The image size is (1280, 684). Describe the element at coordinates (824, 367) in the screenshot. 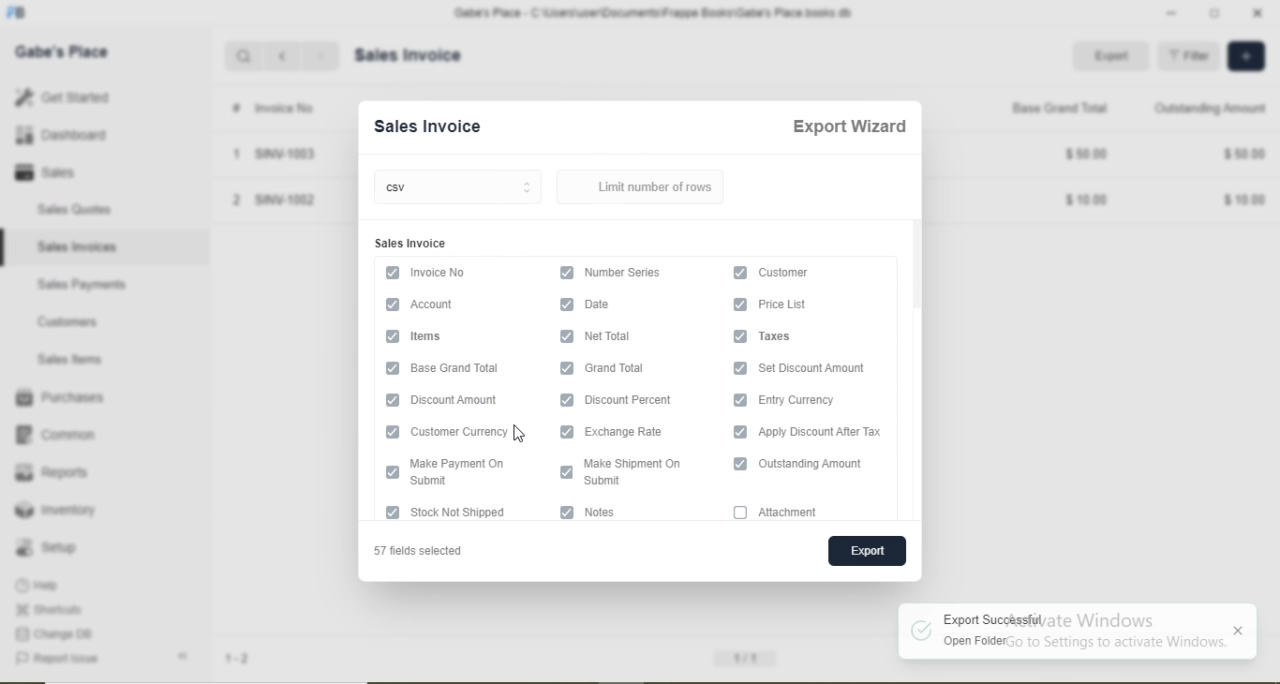

I see `Set Discount Amount` at that location.